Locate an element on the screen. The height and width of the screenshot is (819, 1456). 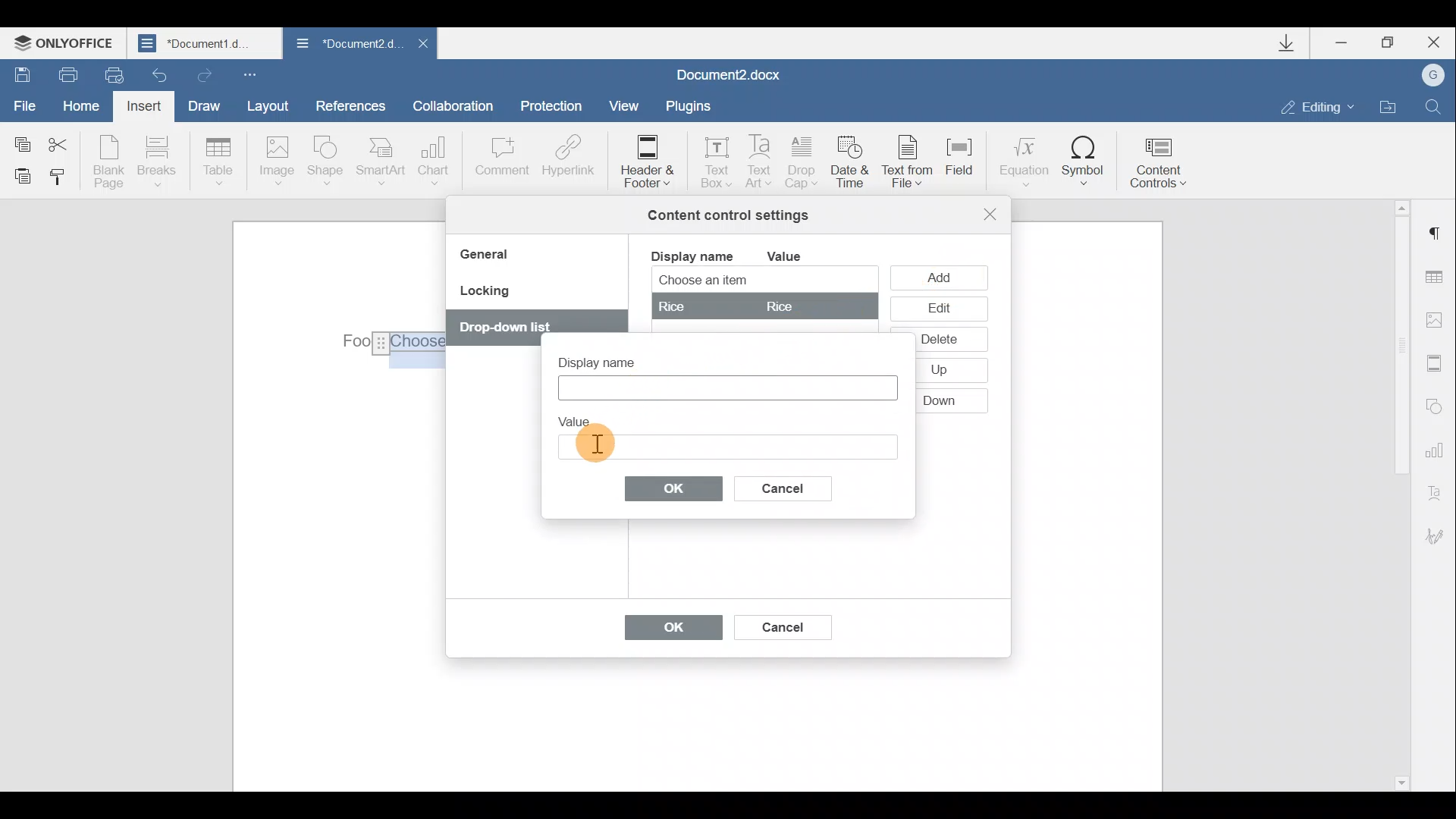
Display name is located at coordinates (691, 255).